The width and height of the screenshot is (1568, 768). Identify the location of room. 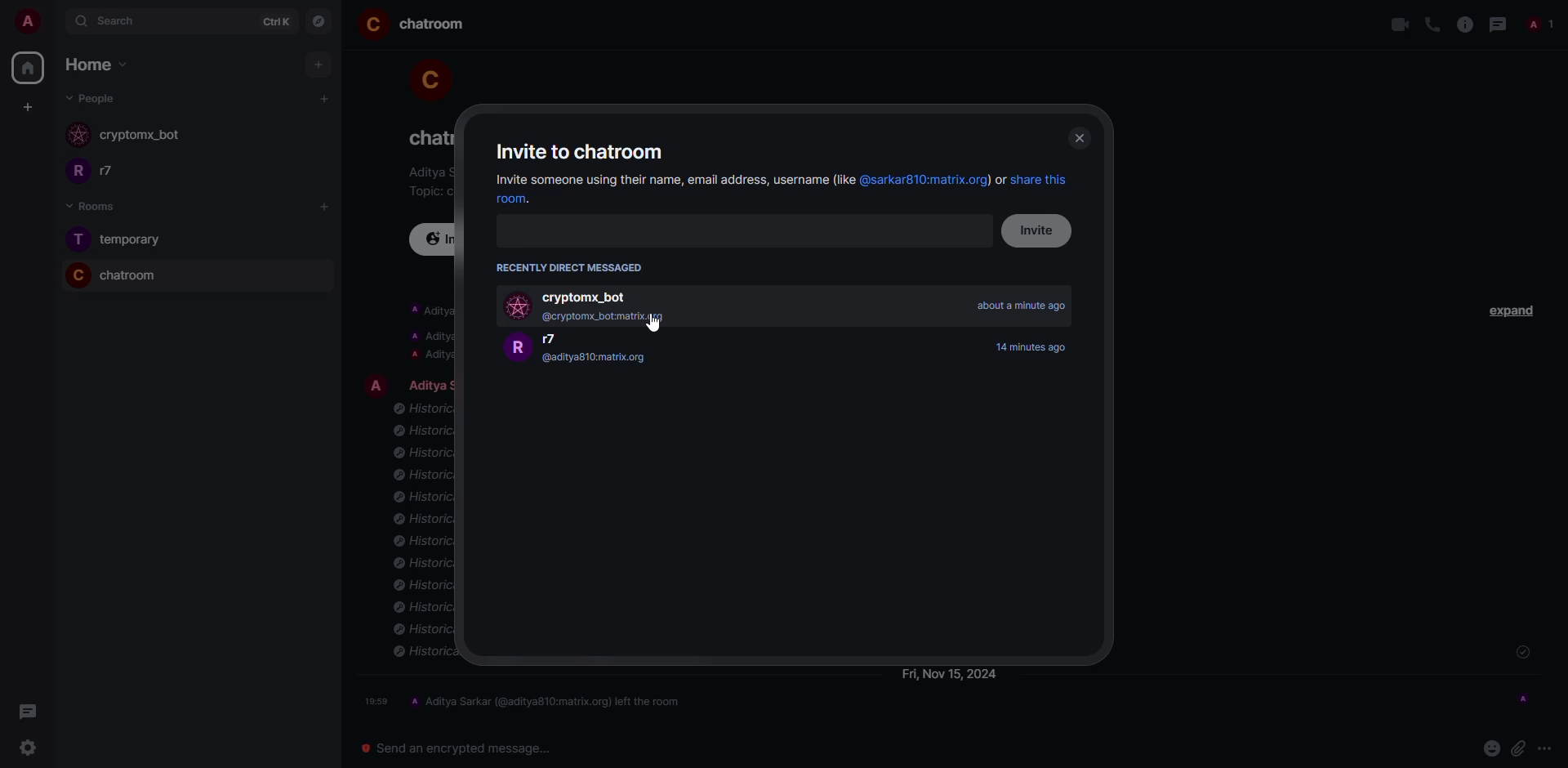
(131, 275).